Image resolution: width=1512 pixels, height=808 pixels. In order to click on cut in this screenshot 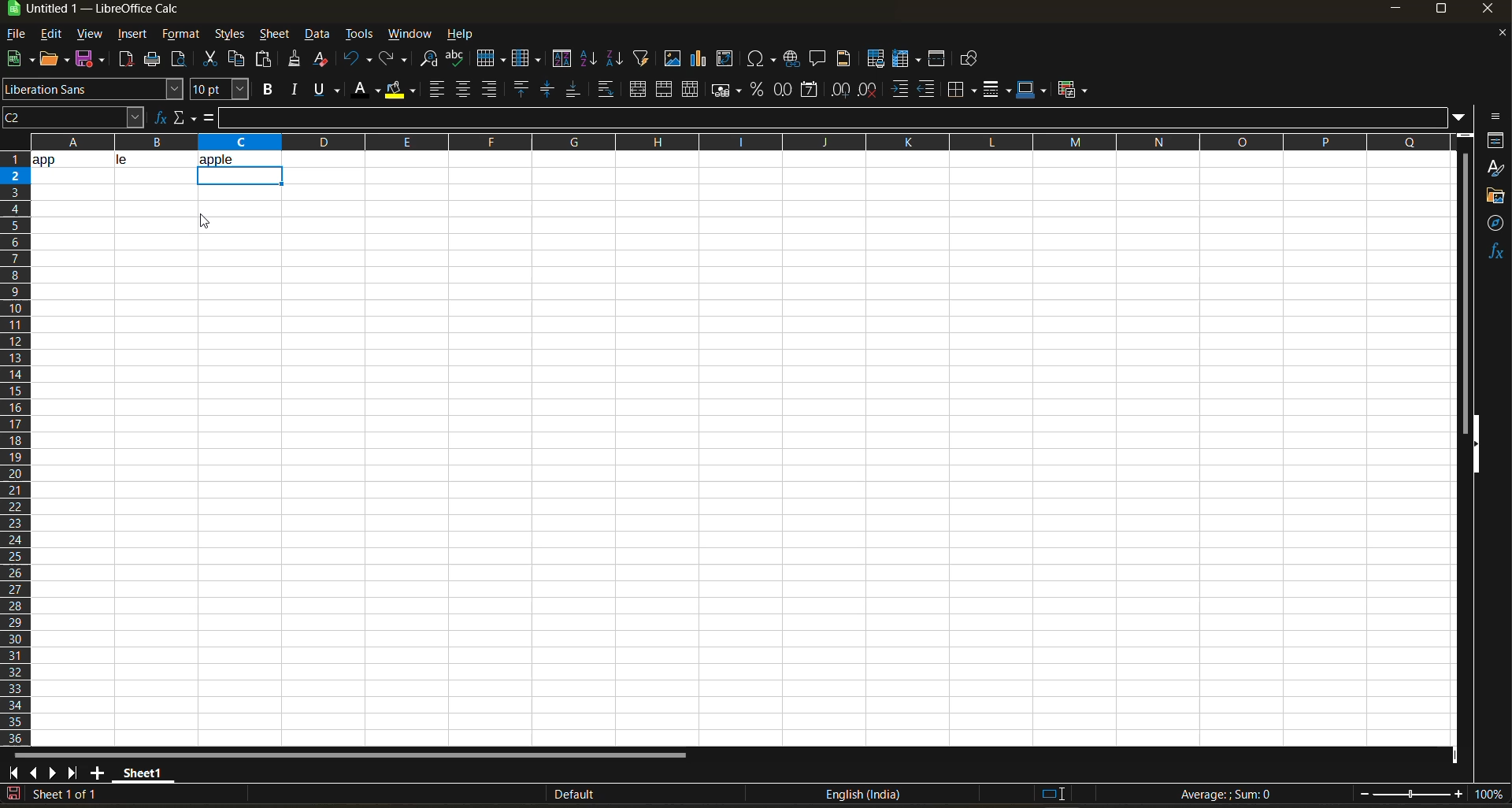, I will do `click(213, 60)`.